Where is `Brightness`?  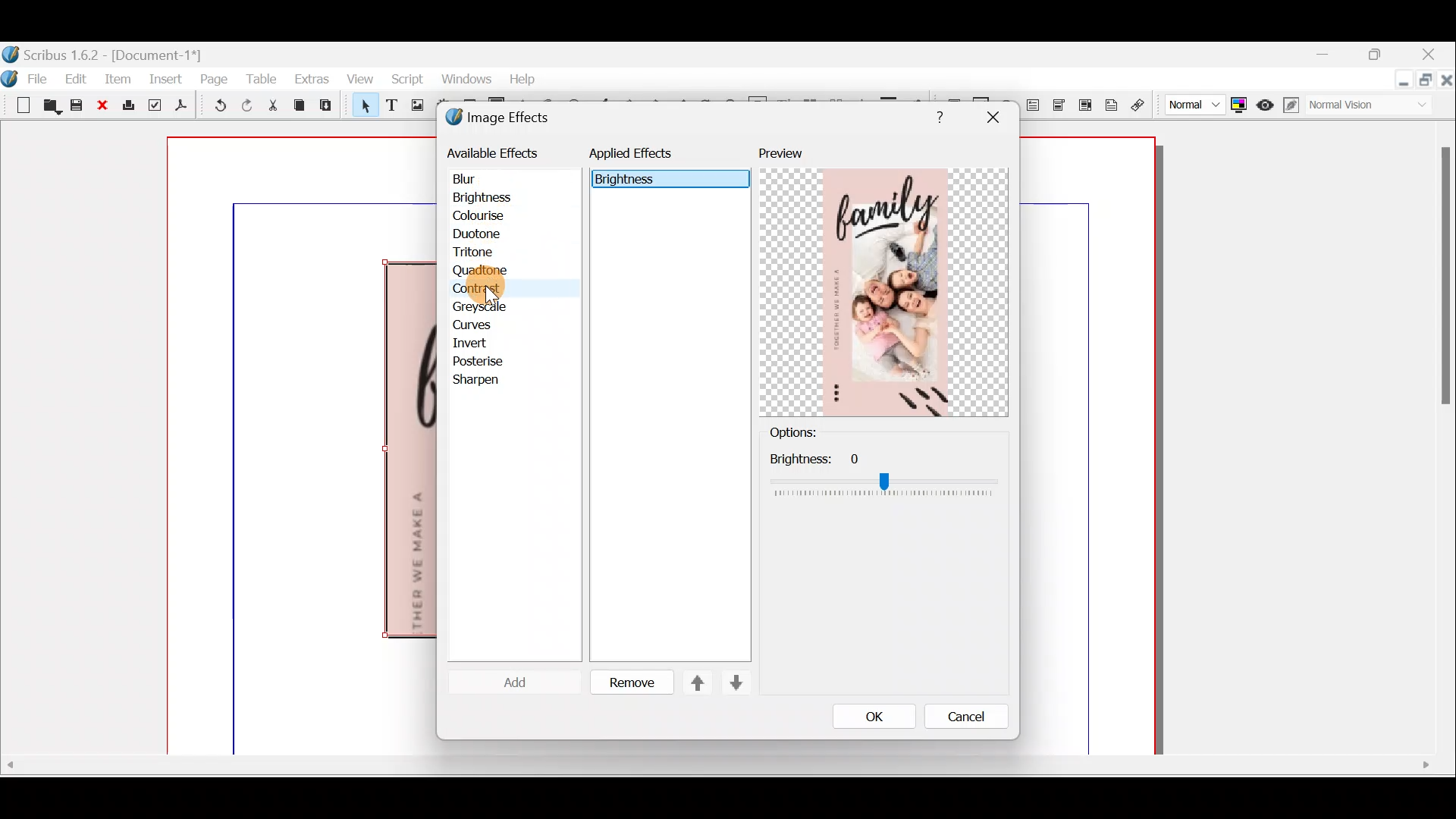
Brightness is located at coordinates (502, 196).